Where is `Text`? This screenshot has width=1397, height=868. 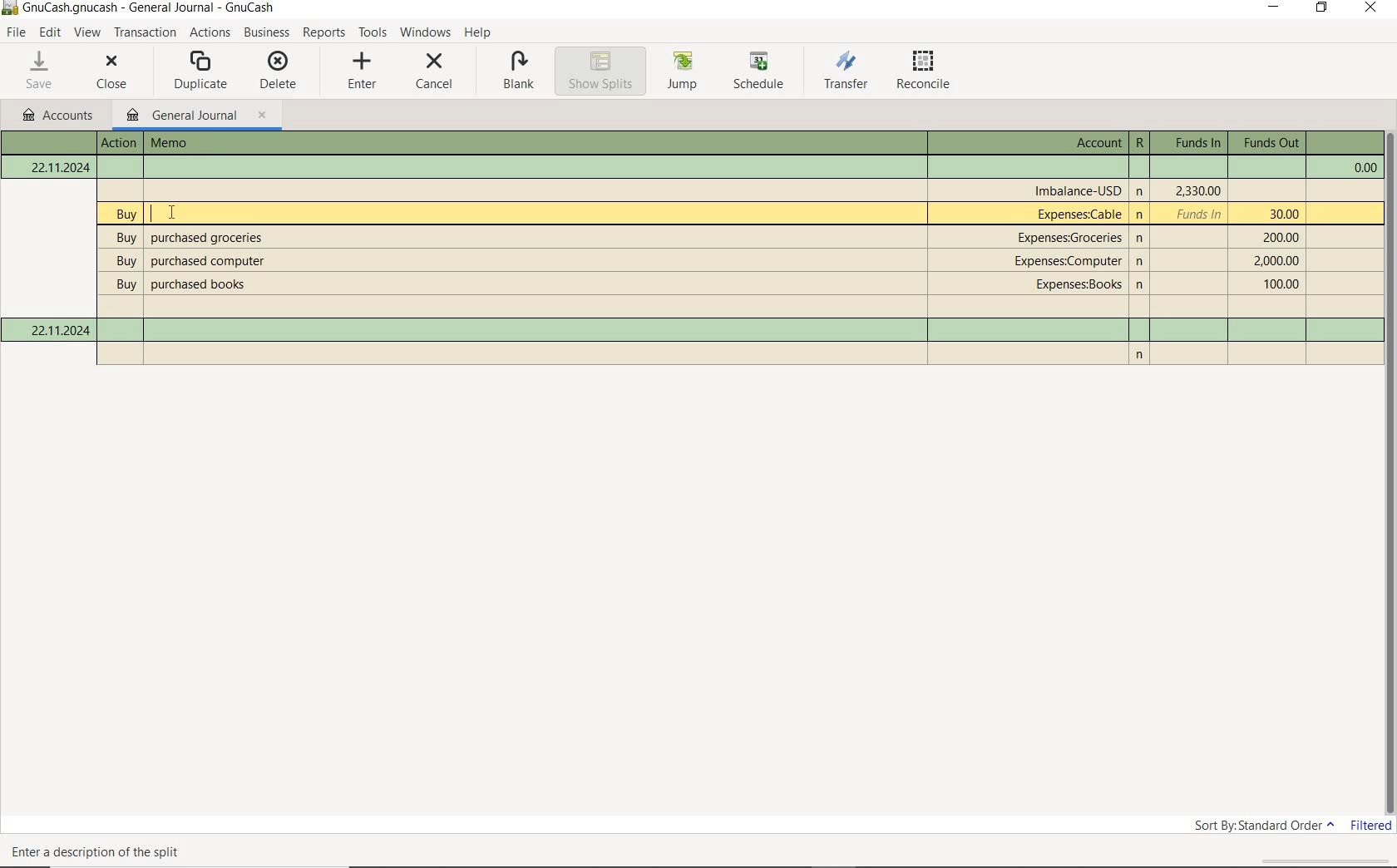
Text is located at coordinates (702, 283).